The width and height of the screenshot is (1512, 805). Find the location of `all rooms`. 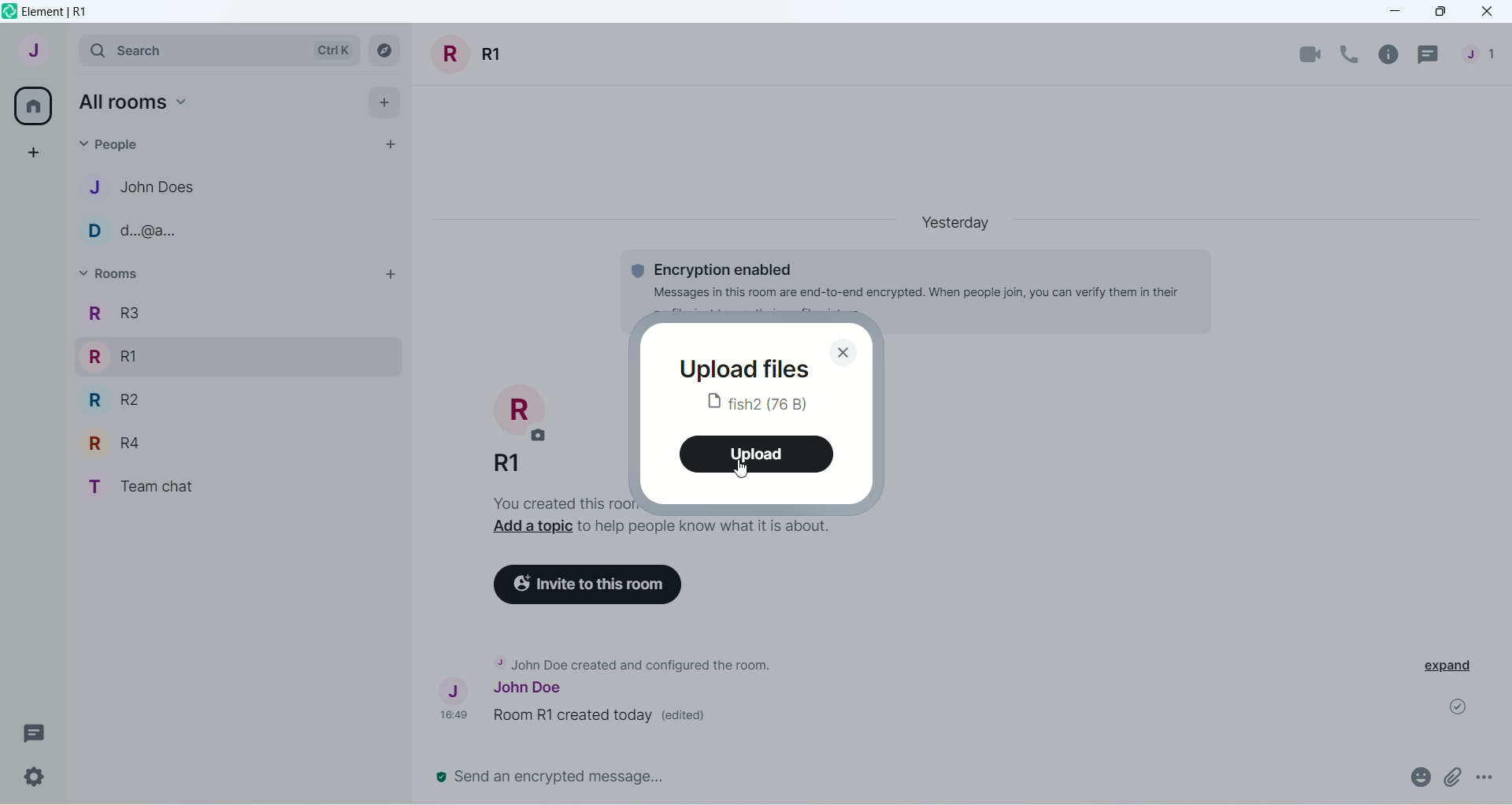

all rooms is located at coordinates (138, 102).